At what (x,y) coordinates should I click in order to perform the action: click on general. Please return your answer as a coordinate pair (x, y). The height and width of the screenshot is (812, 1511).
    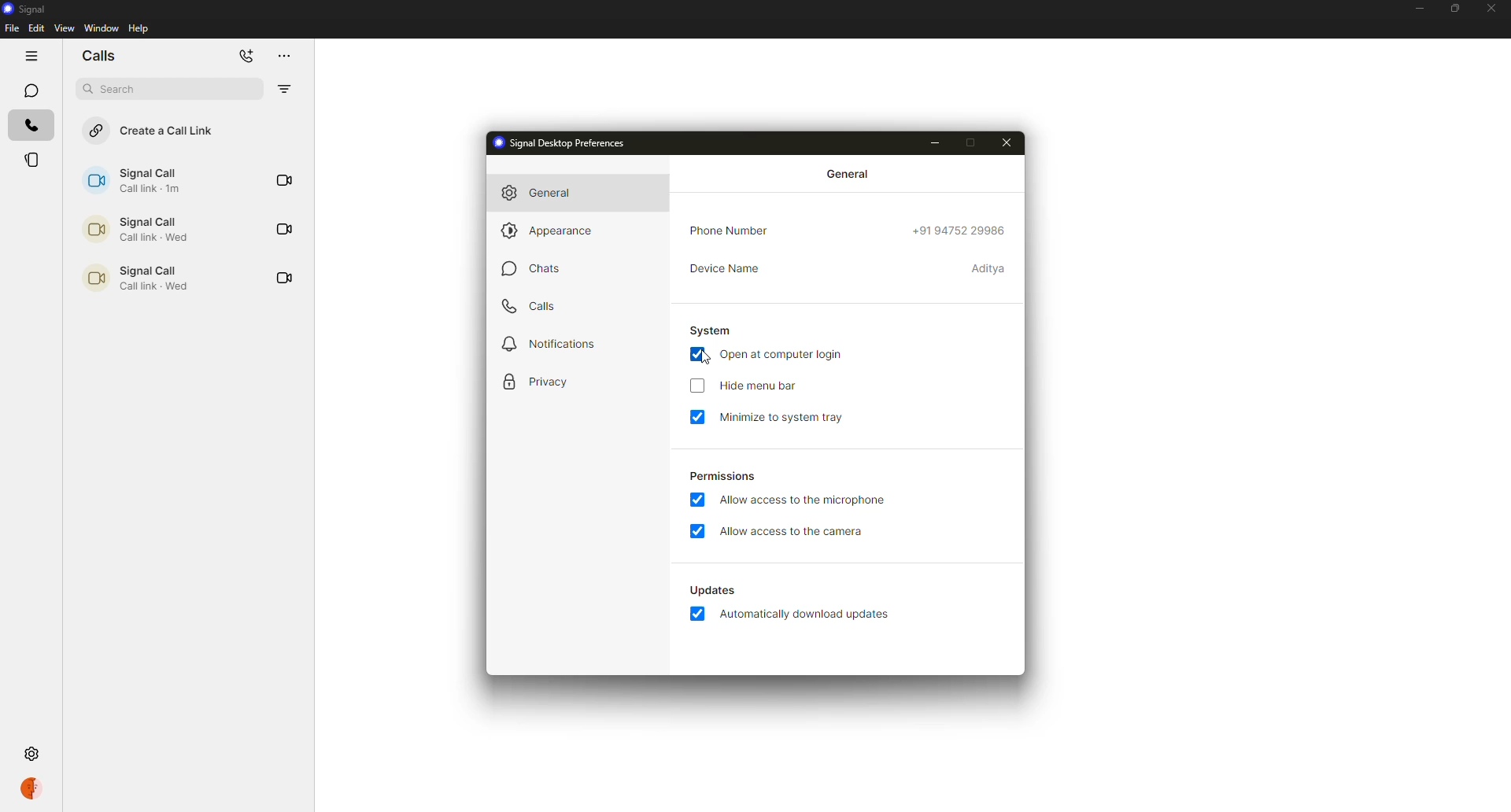
    Looking at the image, I should click on (850, 175).